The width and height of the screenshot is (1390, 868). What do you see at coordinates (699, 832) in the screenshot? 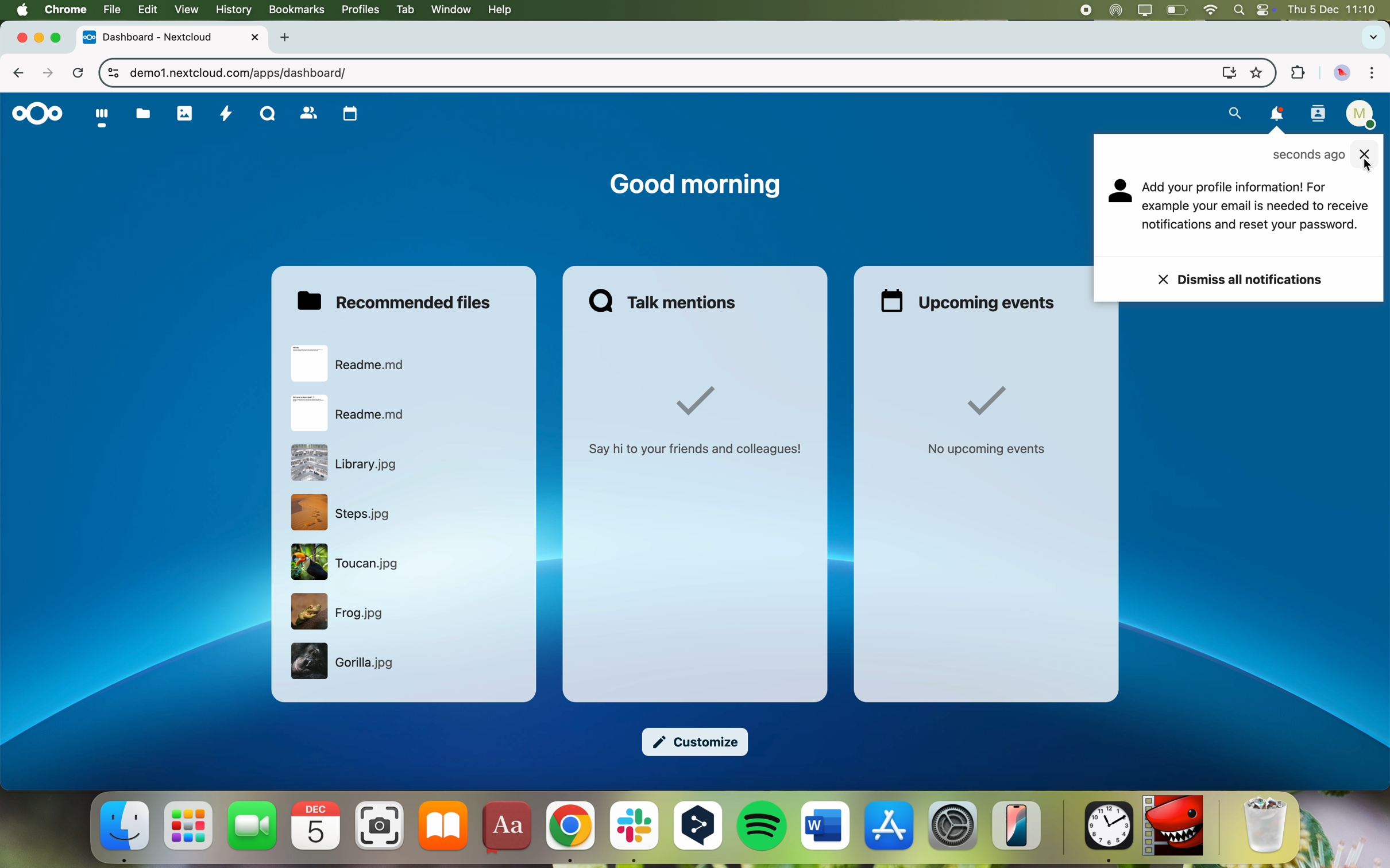
I see `DeepL` at bounding box center [699, 832].